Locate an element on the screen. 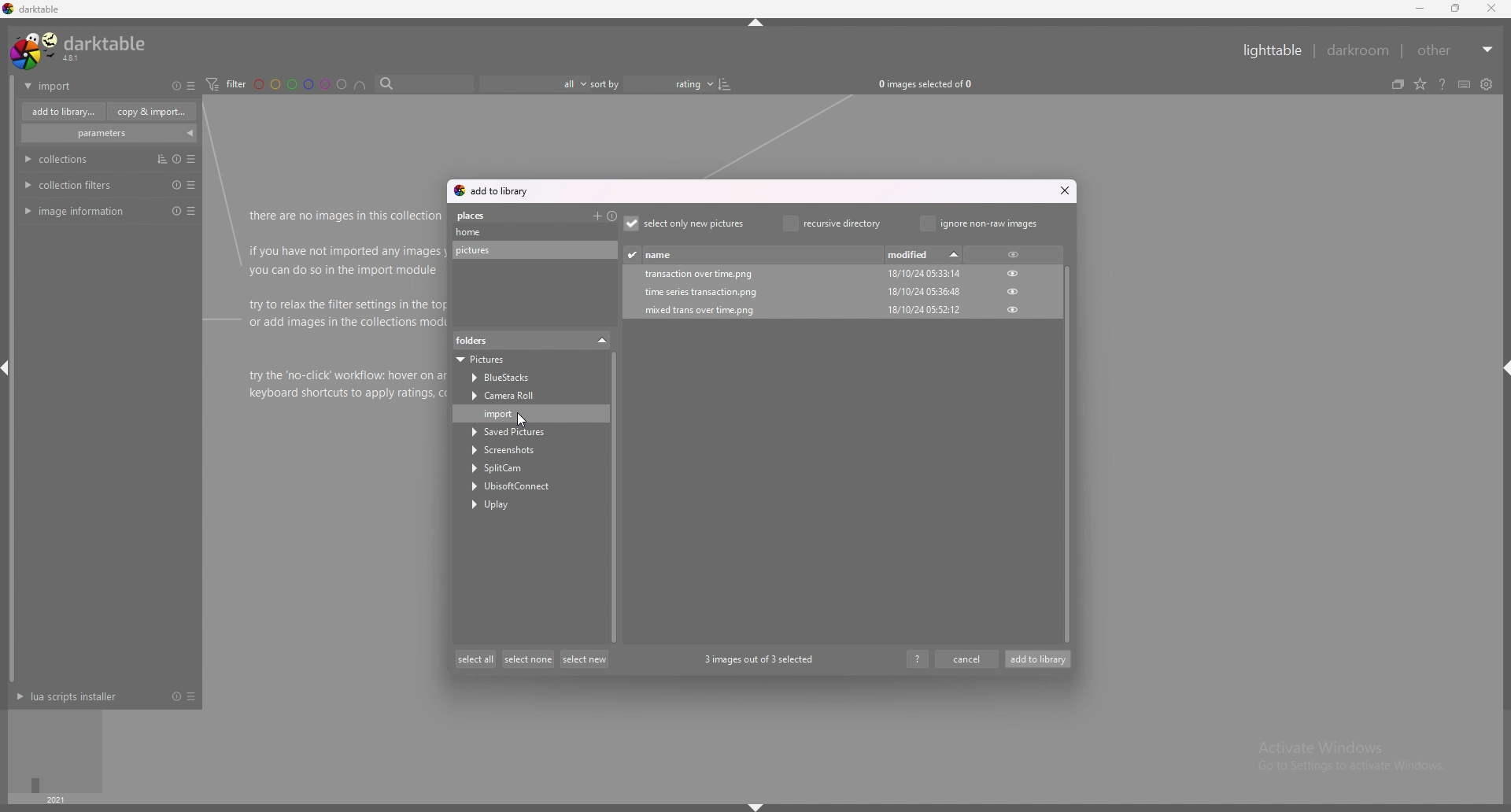 This screenshot has height=812, width=1511. color labels is located at coordinates (300, 84).